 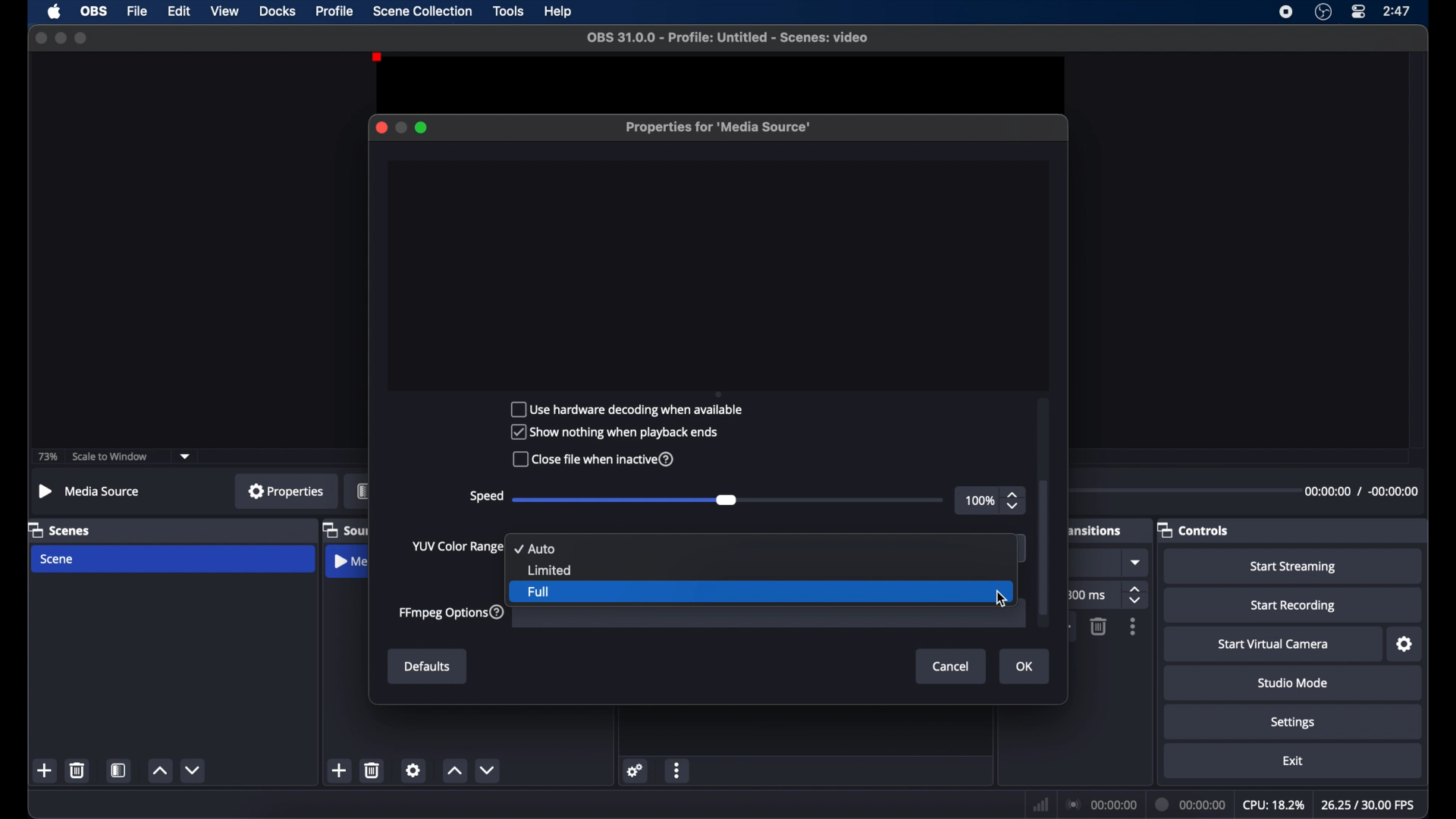 I want to click on maximize, so click(x=423, y=127).